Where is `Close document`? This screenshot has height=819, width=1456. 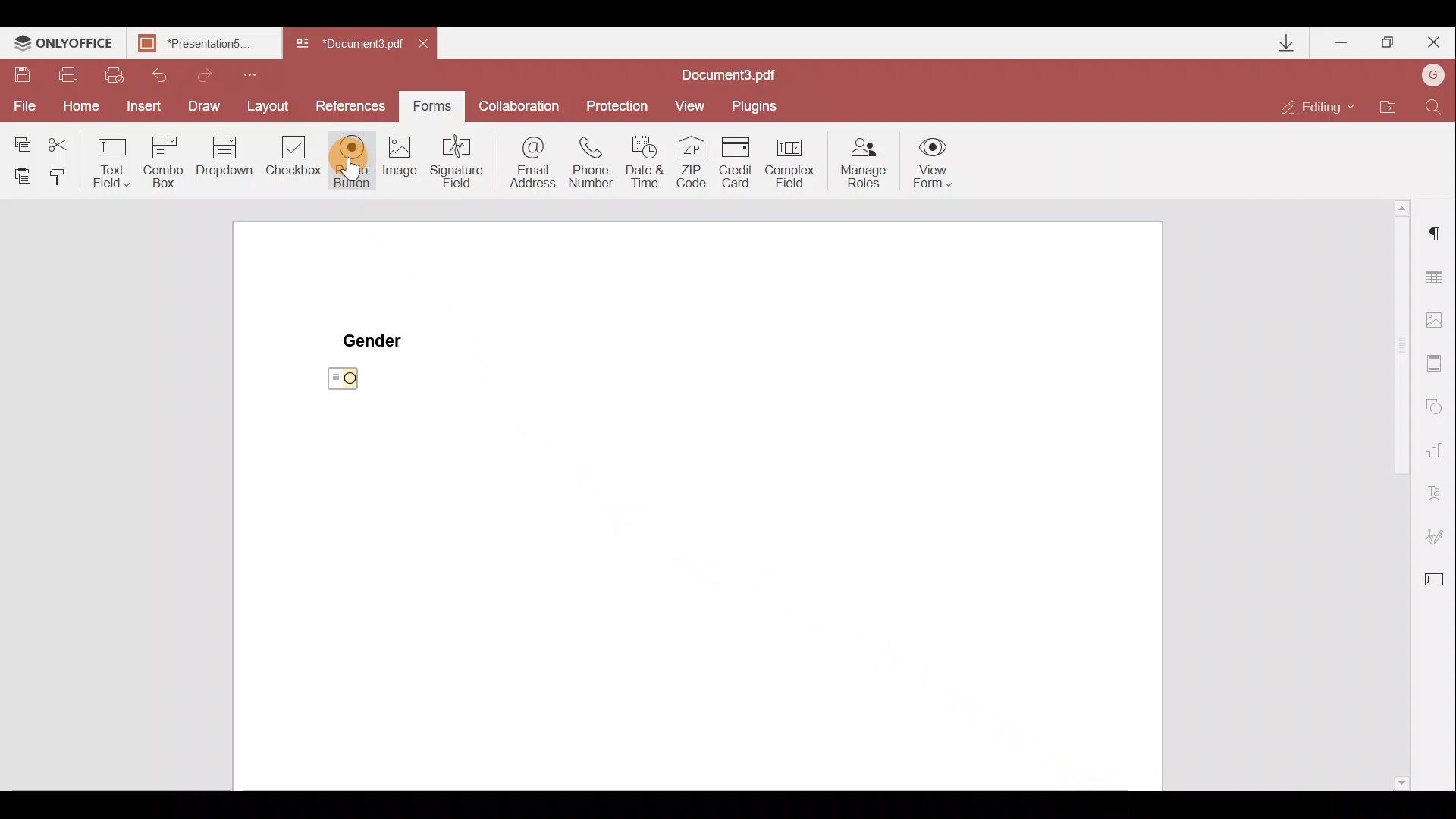 Close document is located at coordinates (427, 45).